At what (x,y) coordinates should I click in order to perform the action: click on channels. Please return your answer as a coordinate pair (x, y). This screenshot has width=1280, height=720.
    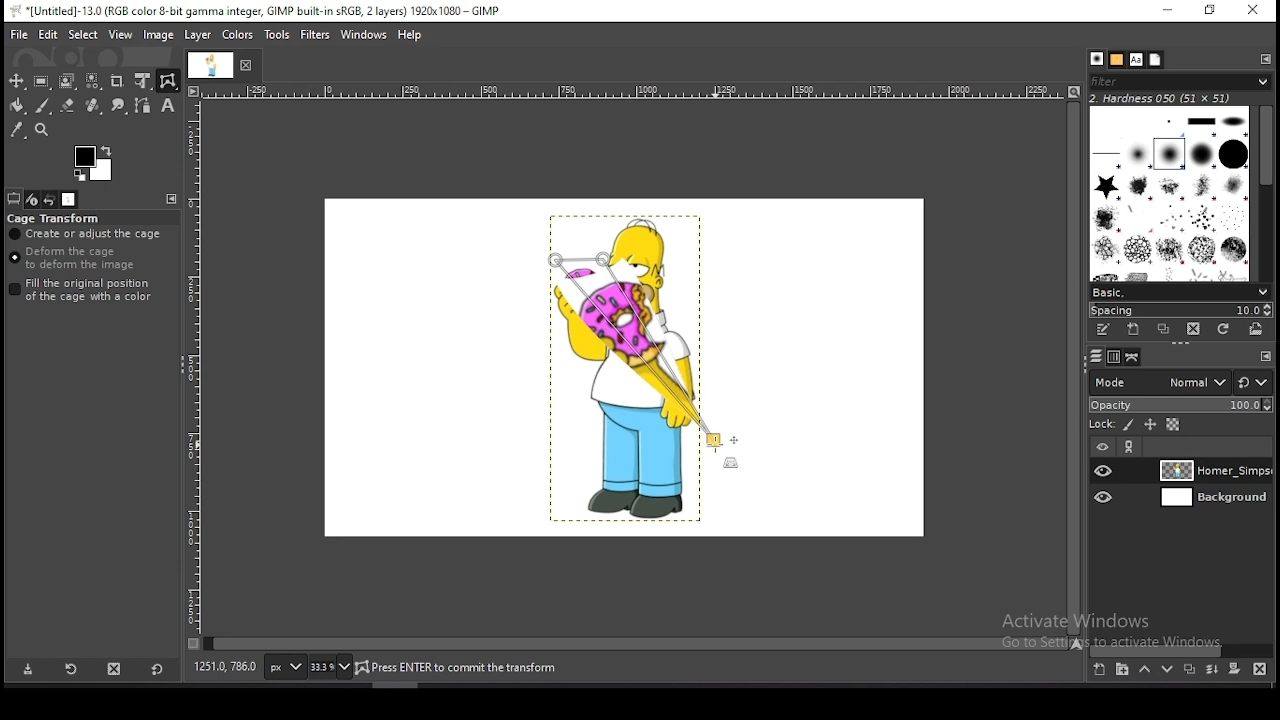
    Looking at the image, I should click on (1112, 356).